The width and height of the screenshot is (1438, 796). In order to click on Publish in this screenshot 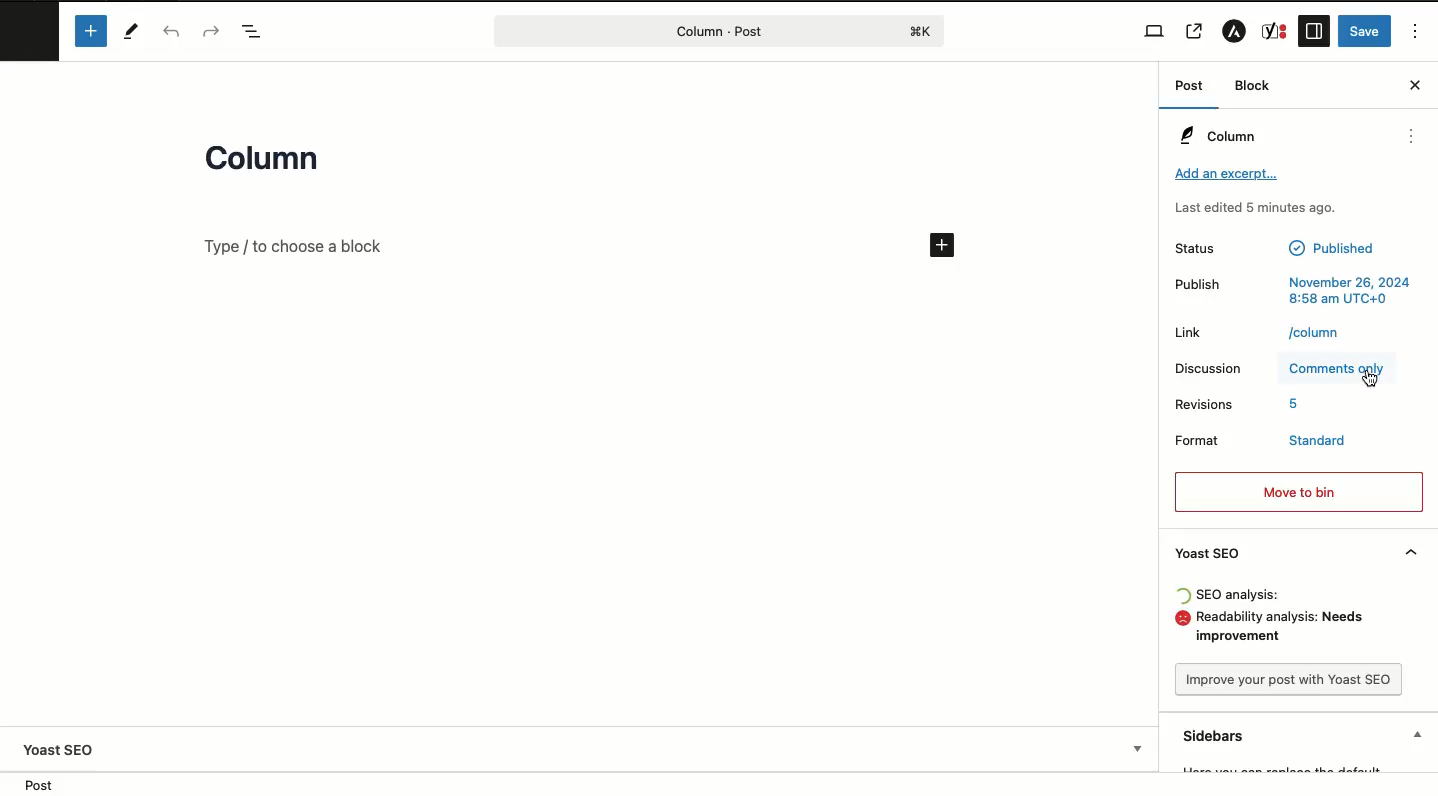, I will do `click(1196, 282)`.